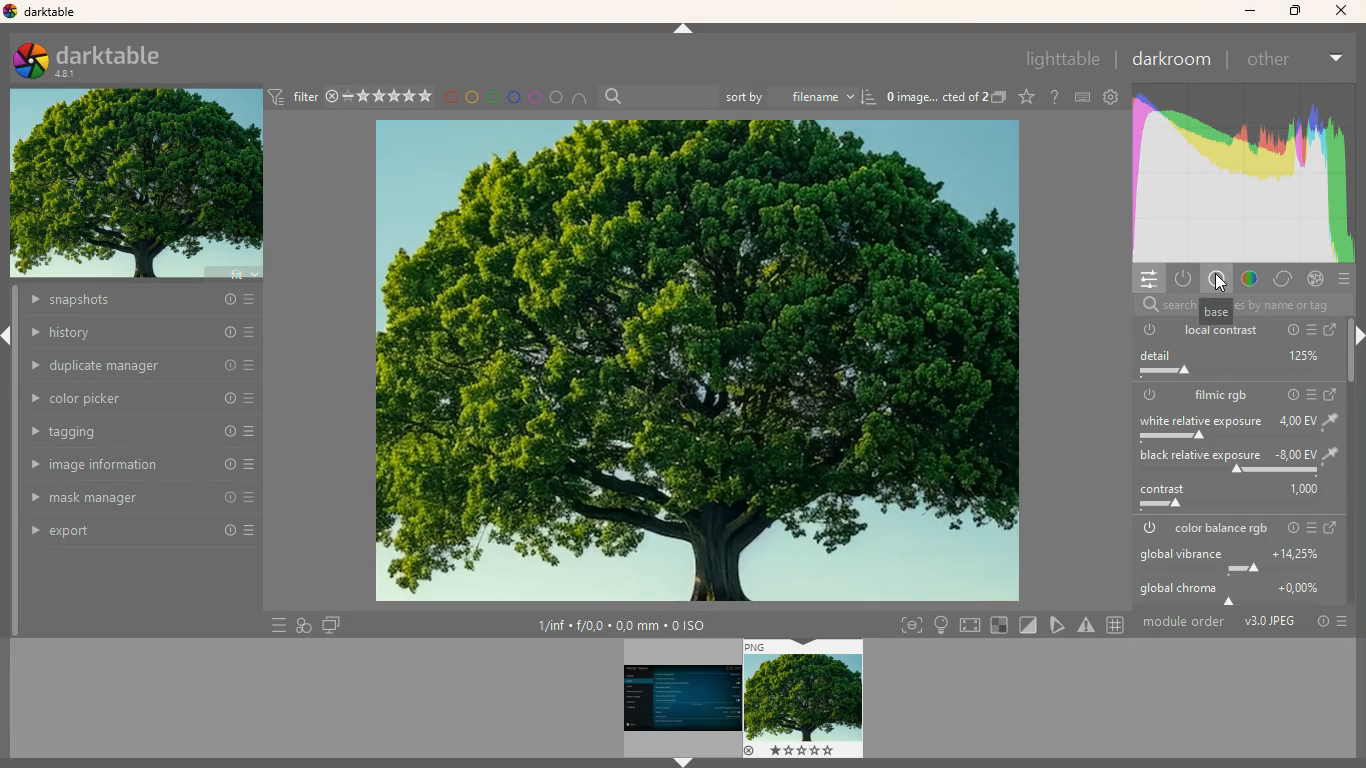  I want to click on image, so click(698, 361).